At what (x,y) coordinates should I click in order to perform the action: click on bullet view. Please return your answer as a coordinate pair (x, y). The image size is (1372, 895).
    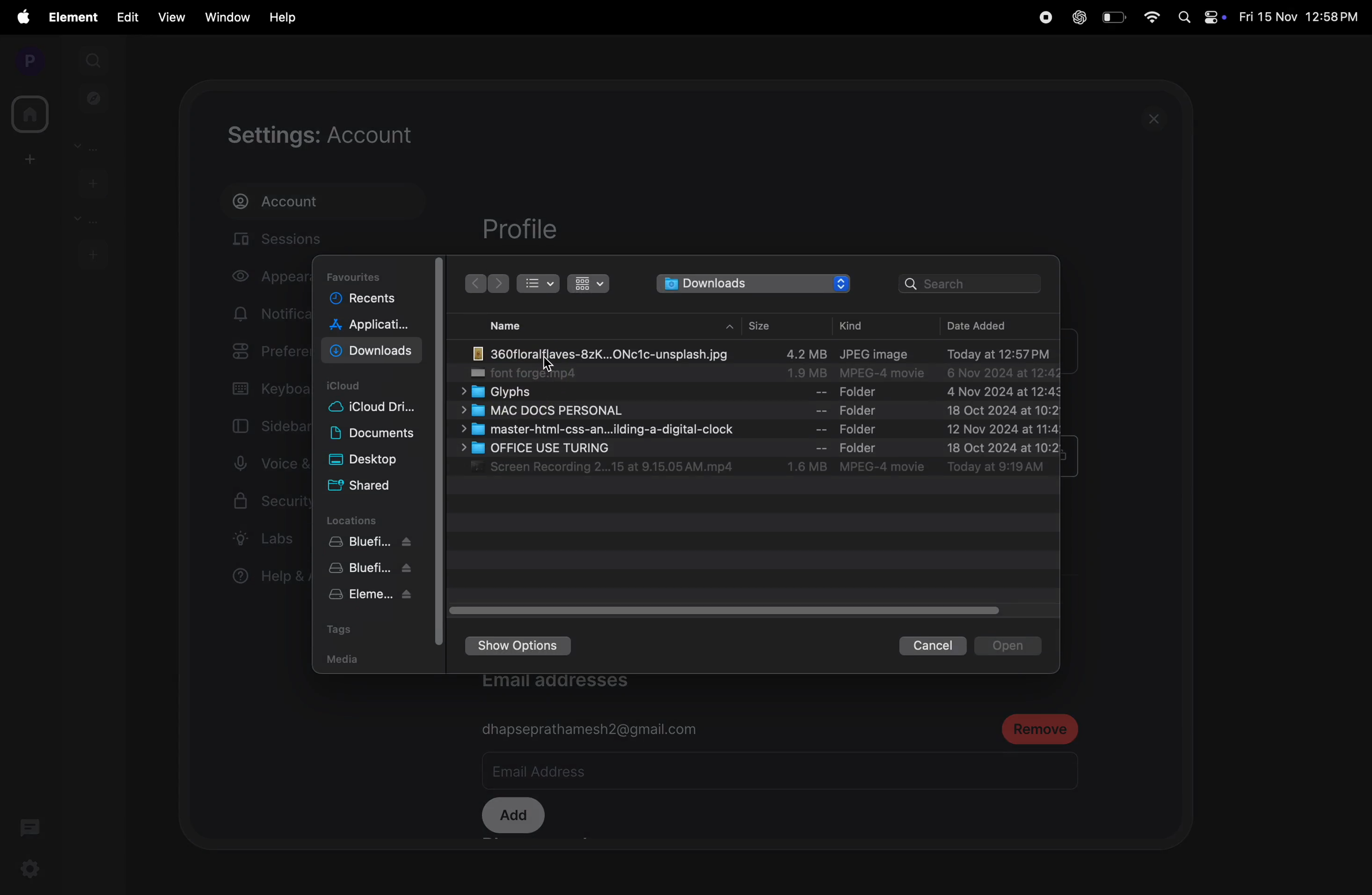
    Looking at the image, I should click on (540, 283).